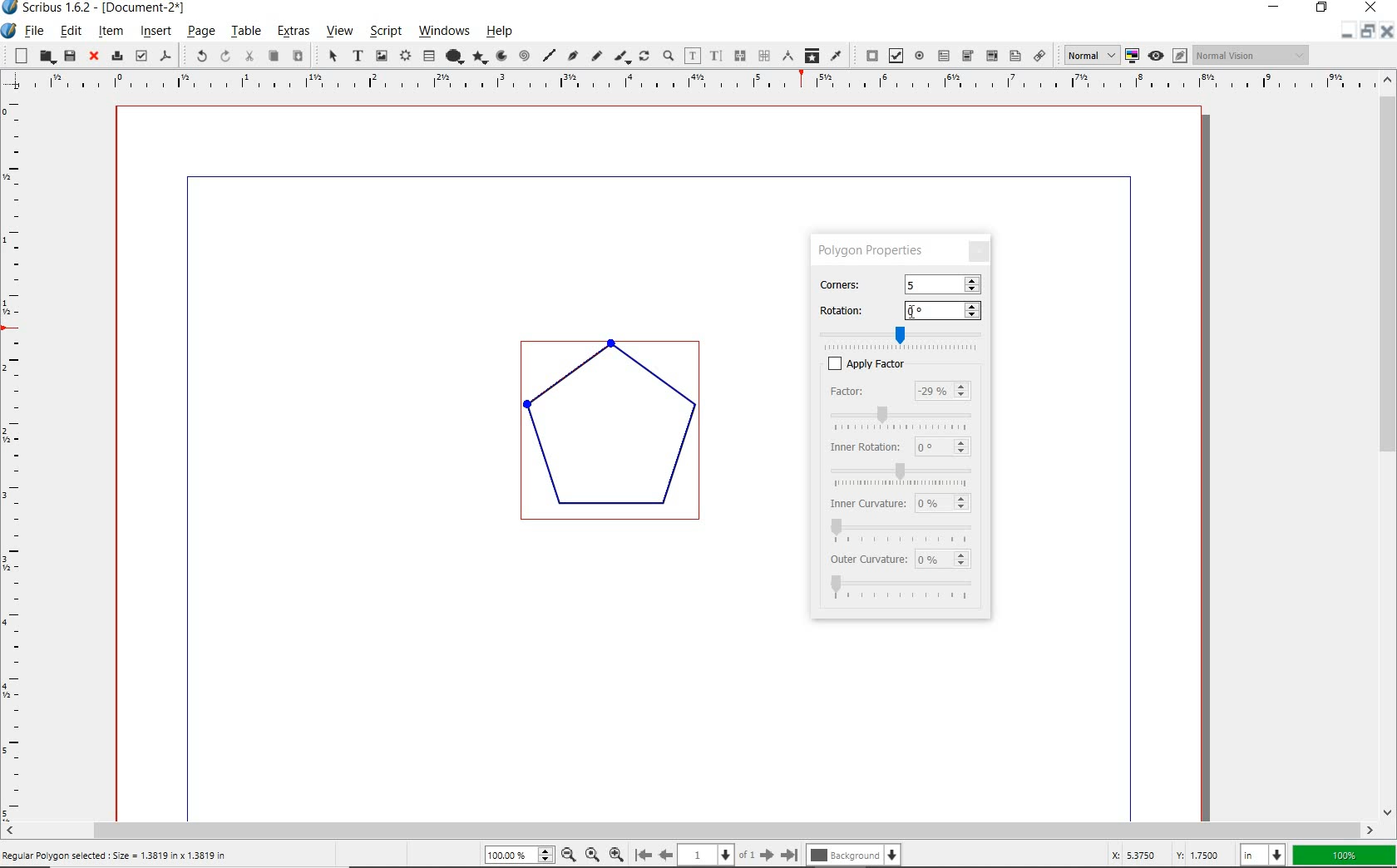 This screenshot has height=868, width=1397. What do you see at coordinates (274, 56) in the screenshot?
I see `copy` at bounding box center [274, 56].